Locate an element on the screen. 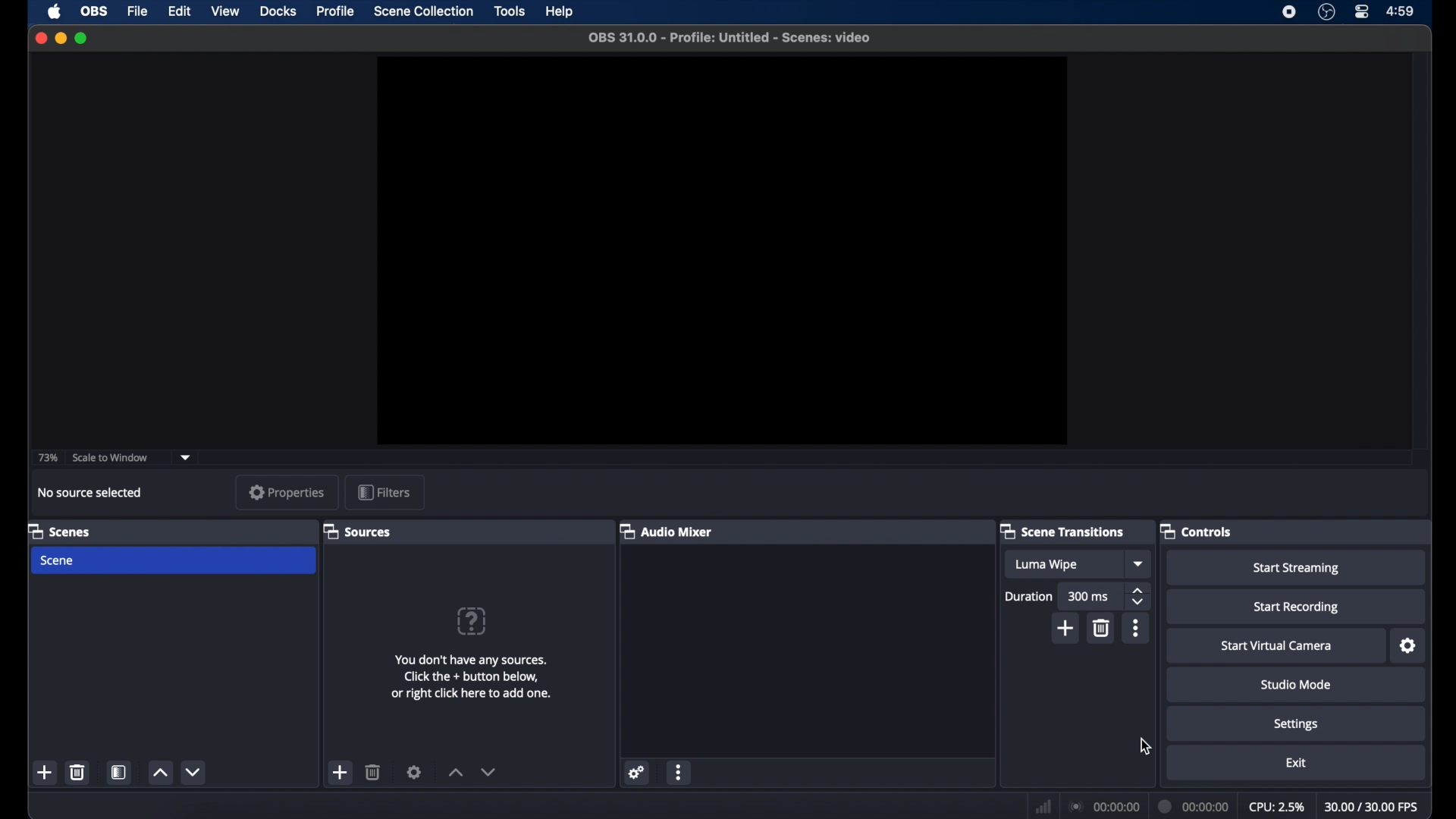 This screenshot has height=819, width=1456. view is located at coordinates (226, 11).